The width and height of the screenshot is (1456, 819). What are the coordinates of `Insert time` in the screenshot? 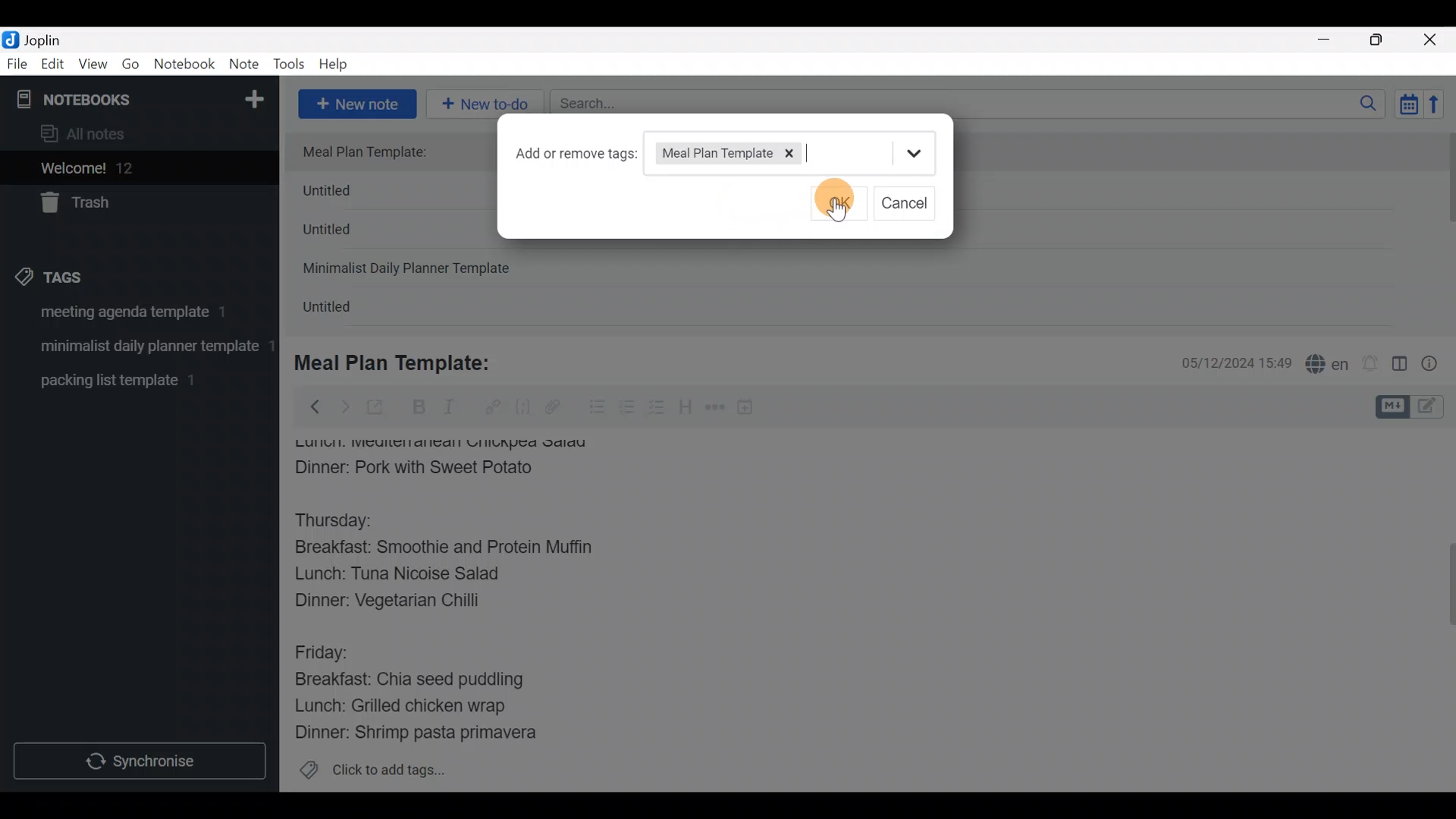 It's located at (752, 409).